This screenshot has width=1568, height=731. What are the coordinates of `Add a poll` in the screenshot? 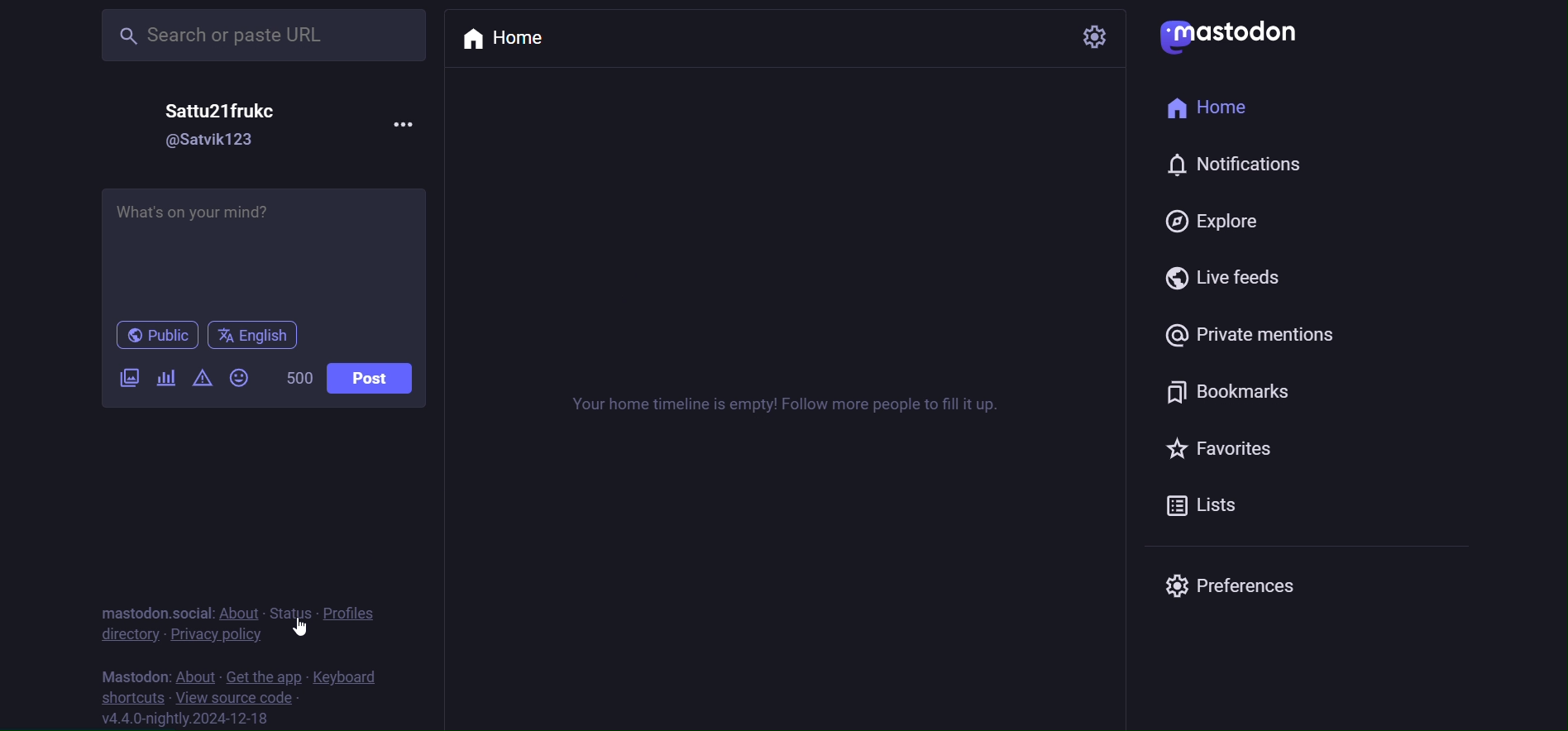 It's located at (166, 380).